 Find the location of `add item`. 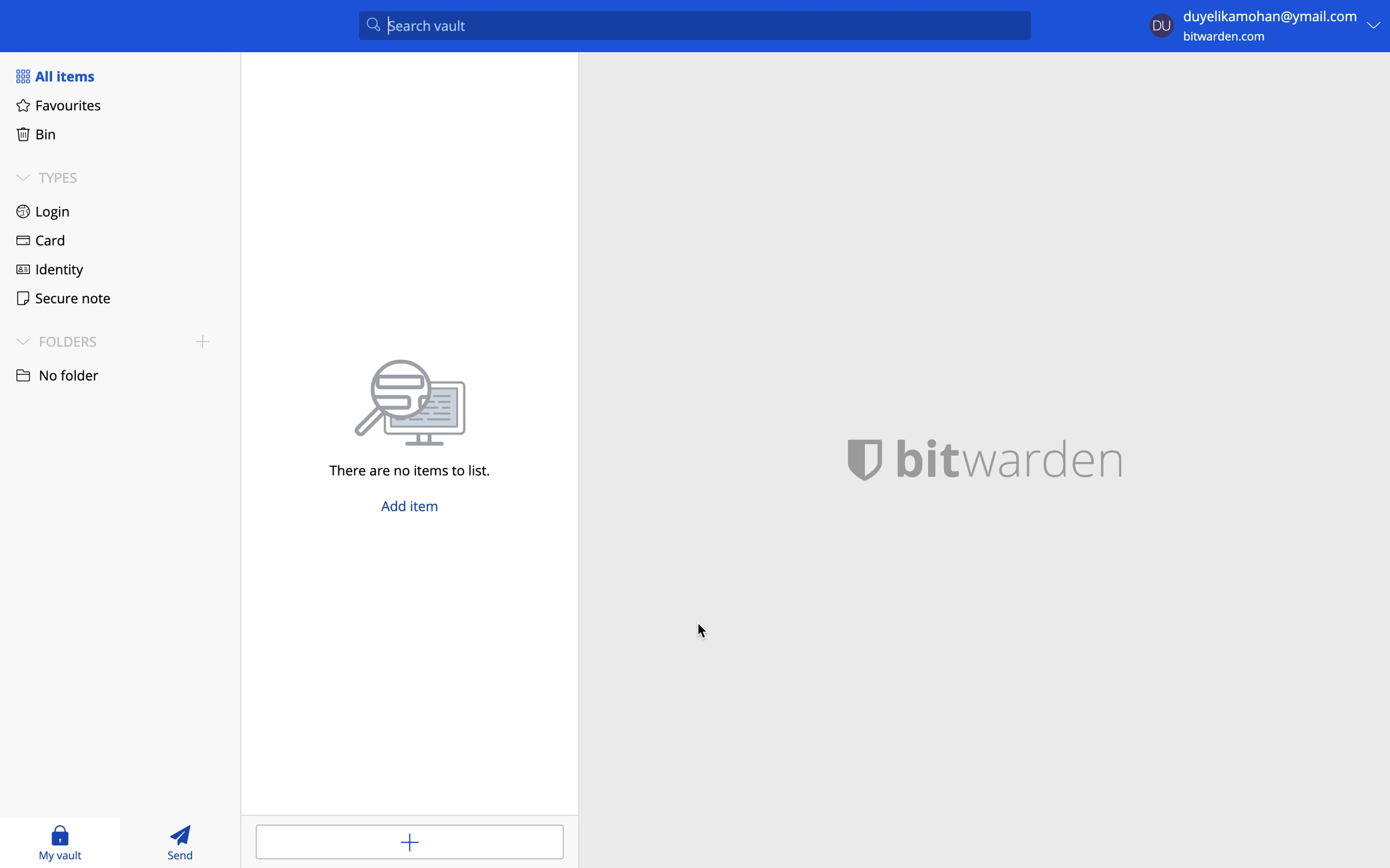

add item is located at coordinates (411, 840).